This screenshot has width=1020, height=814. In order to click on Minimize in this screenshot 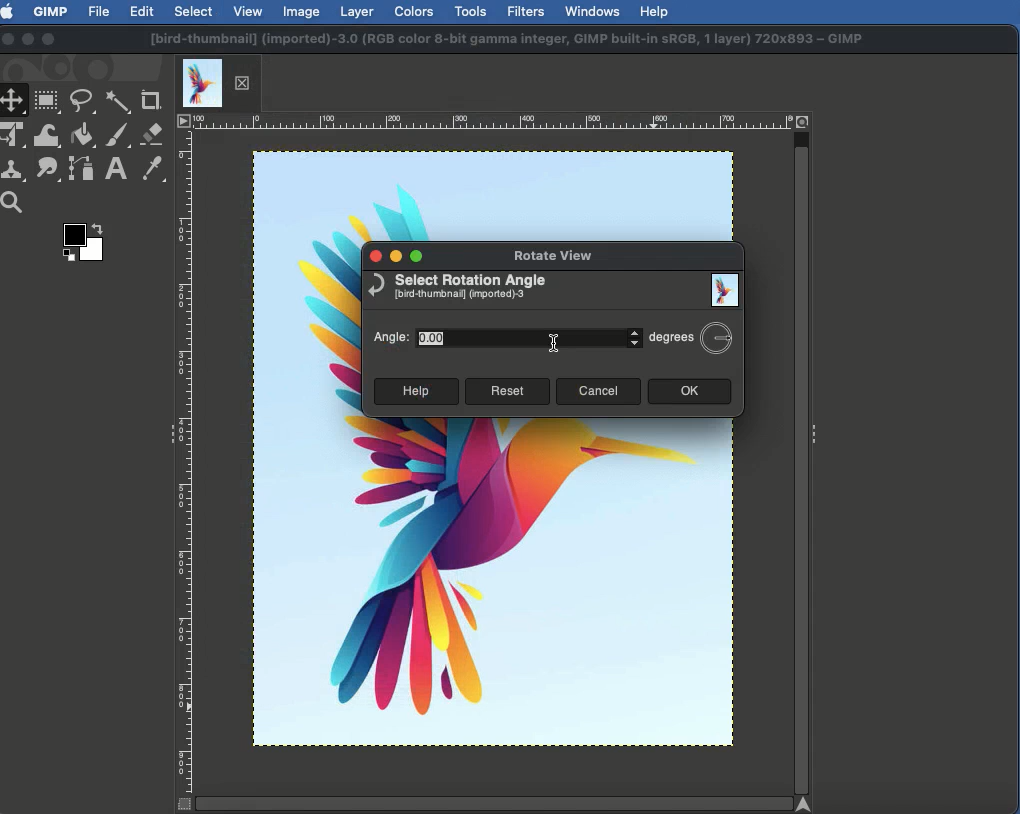, I will do `click(28, 38)`.